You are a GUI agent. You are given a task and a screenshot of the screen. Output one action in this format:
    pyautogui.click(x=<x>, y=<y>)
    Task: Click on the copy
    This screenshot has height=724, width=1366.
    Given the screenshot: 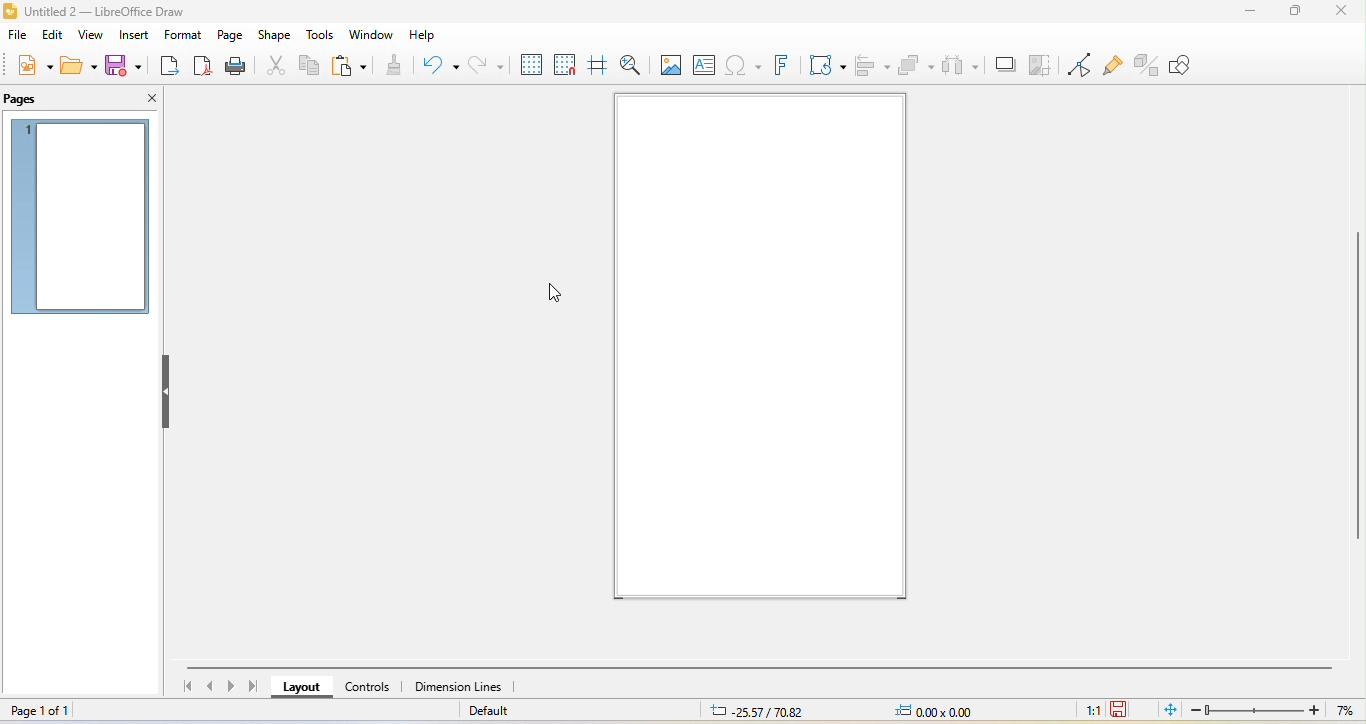 What is the action you would take?
    pyautogui.click(x=308, y=68)
    